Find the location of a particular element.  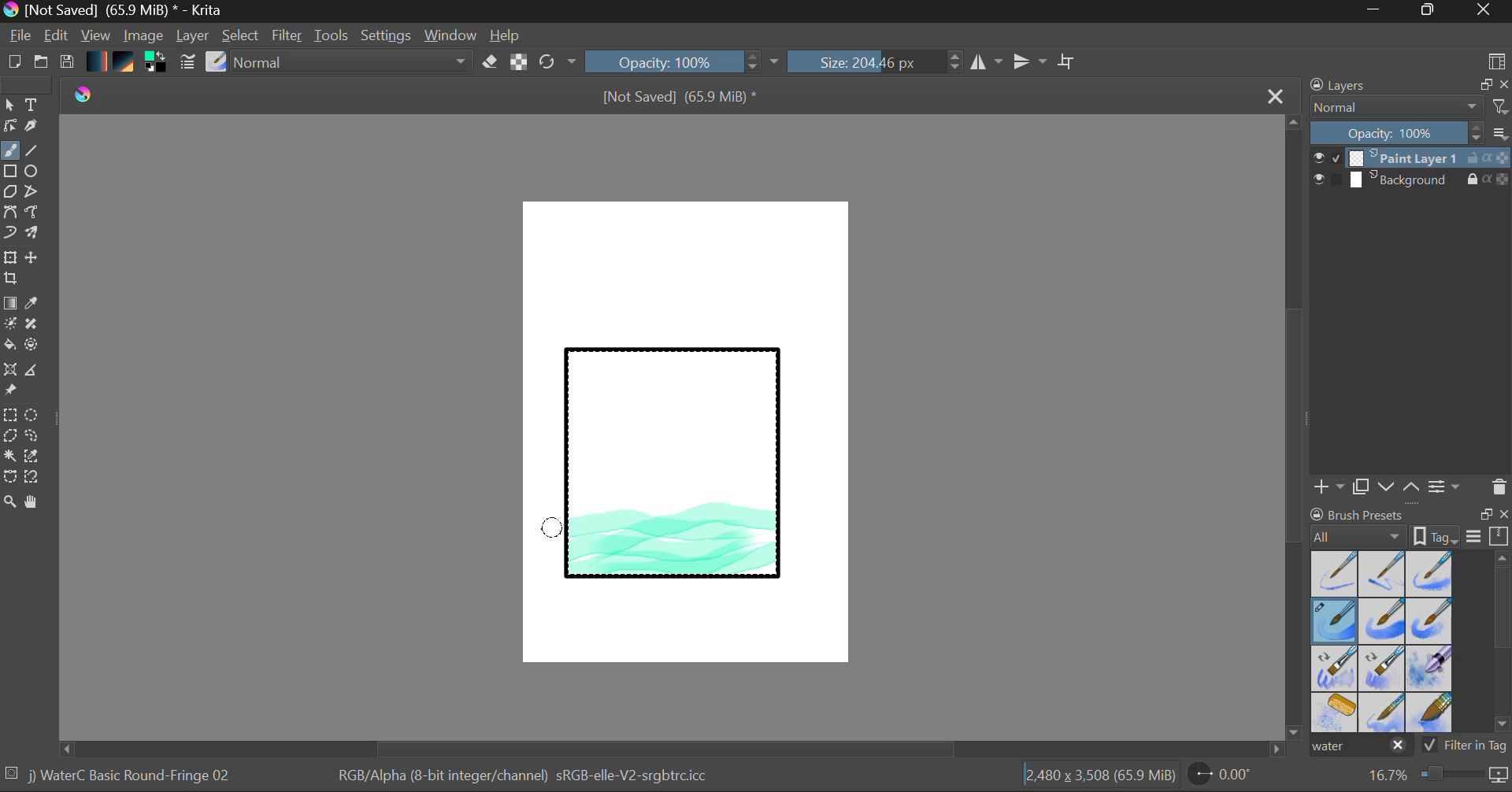

Lock Alpha is located at coordinates (517, 63).